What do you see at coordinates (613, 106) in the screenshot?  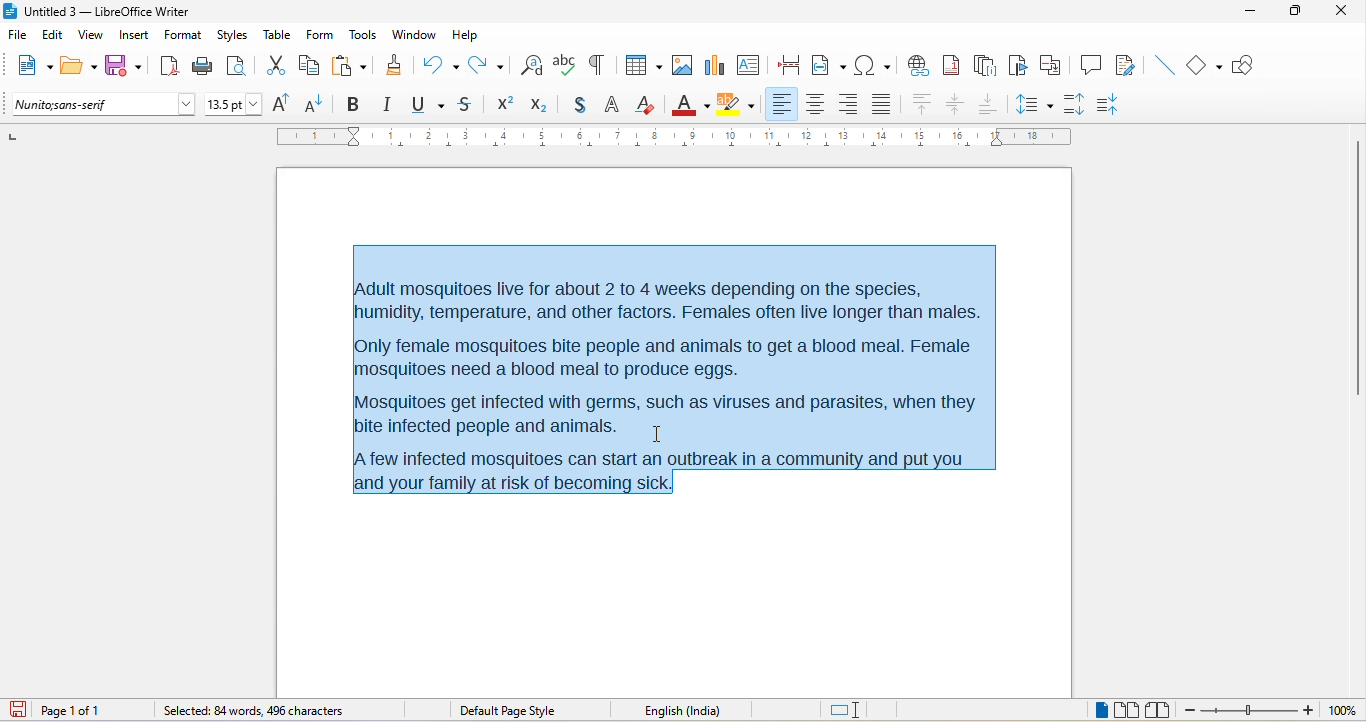 I see `outline font effect` at bounding box center [613, 106].